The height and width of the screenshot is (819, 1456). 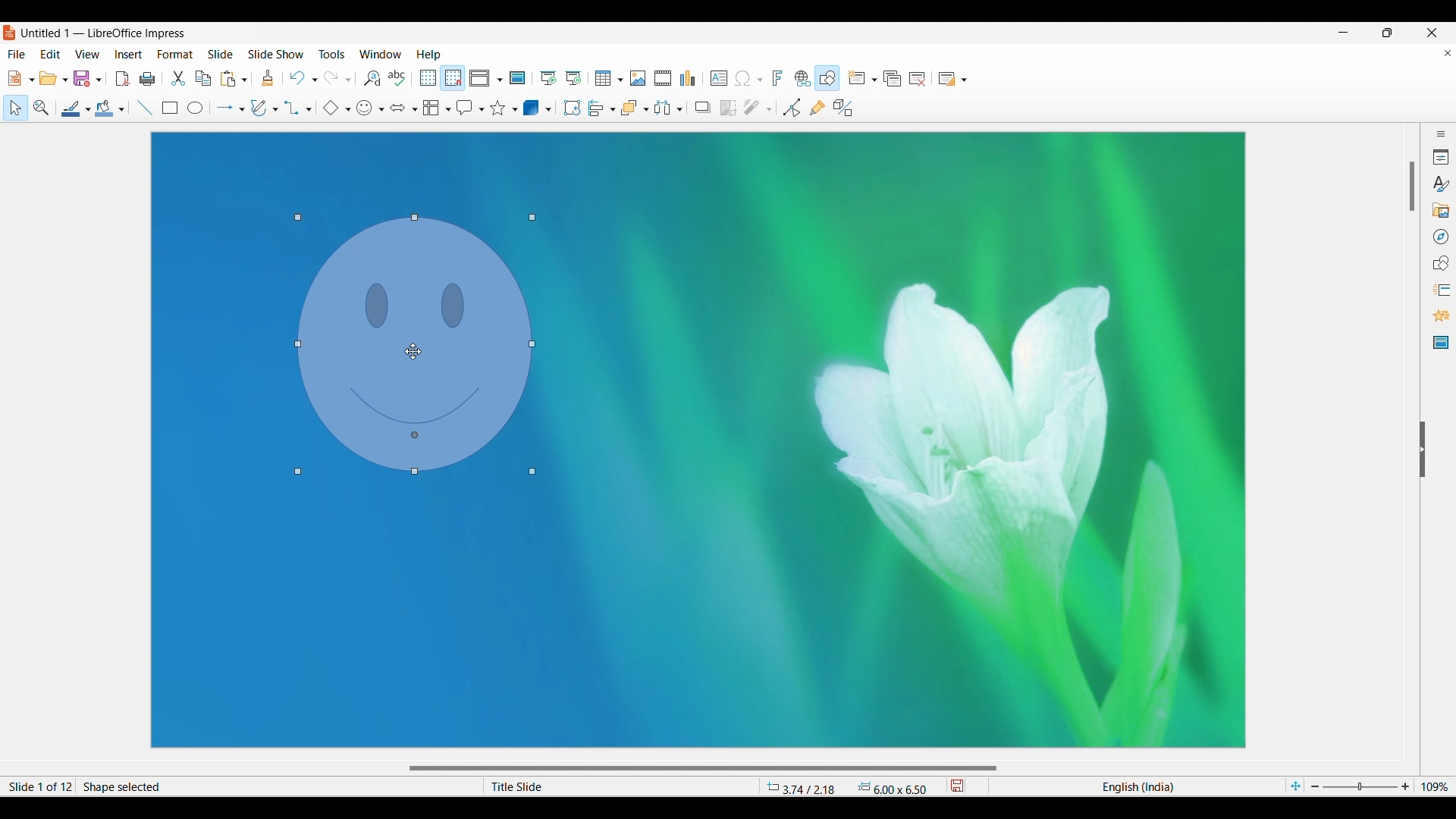 I want to click on Properties, so click(x=1441, y=157).